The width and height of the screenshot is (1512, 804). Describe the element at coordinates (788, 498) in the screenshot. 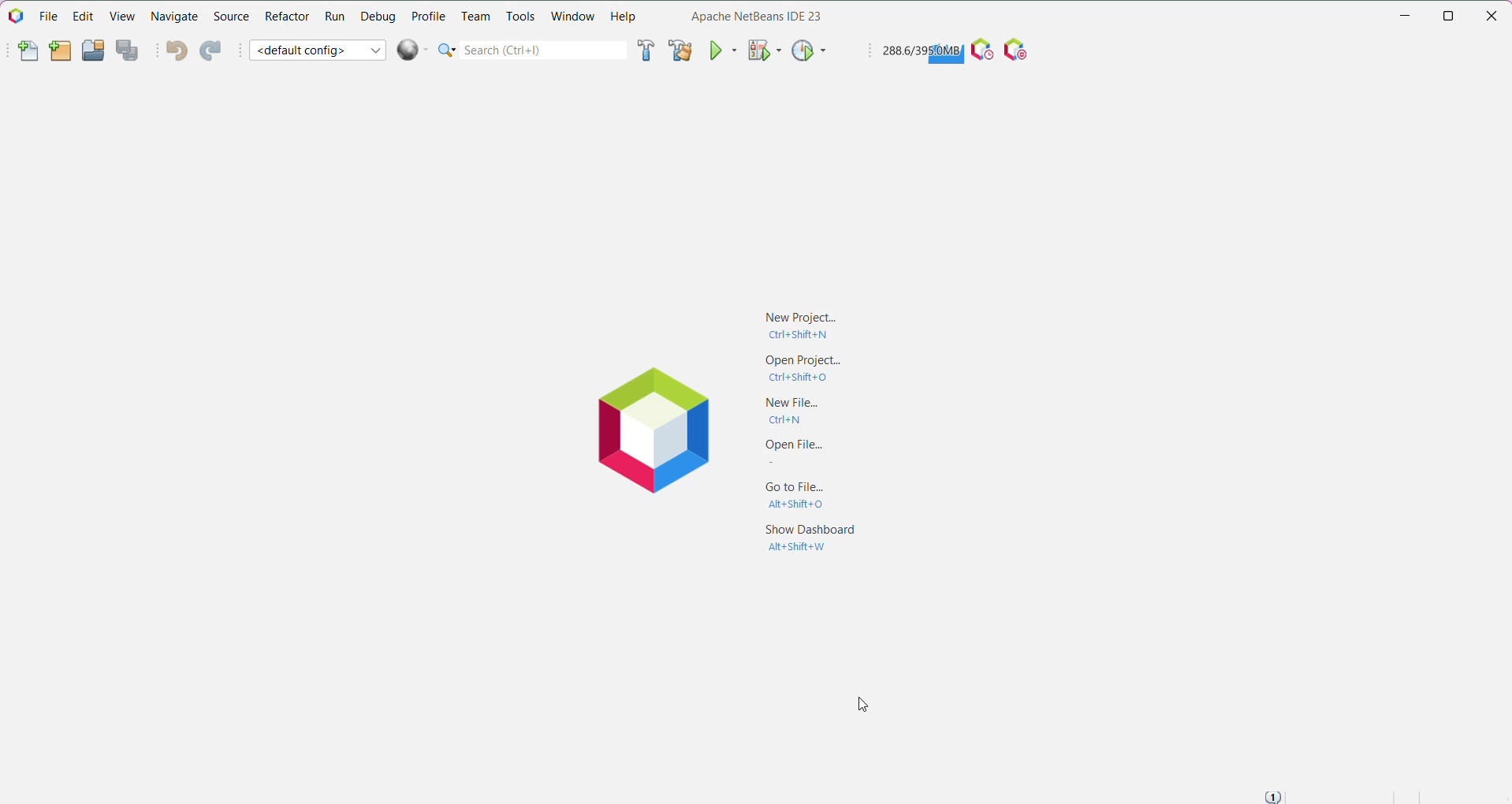

I see `Go to File` at that location.